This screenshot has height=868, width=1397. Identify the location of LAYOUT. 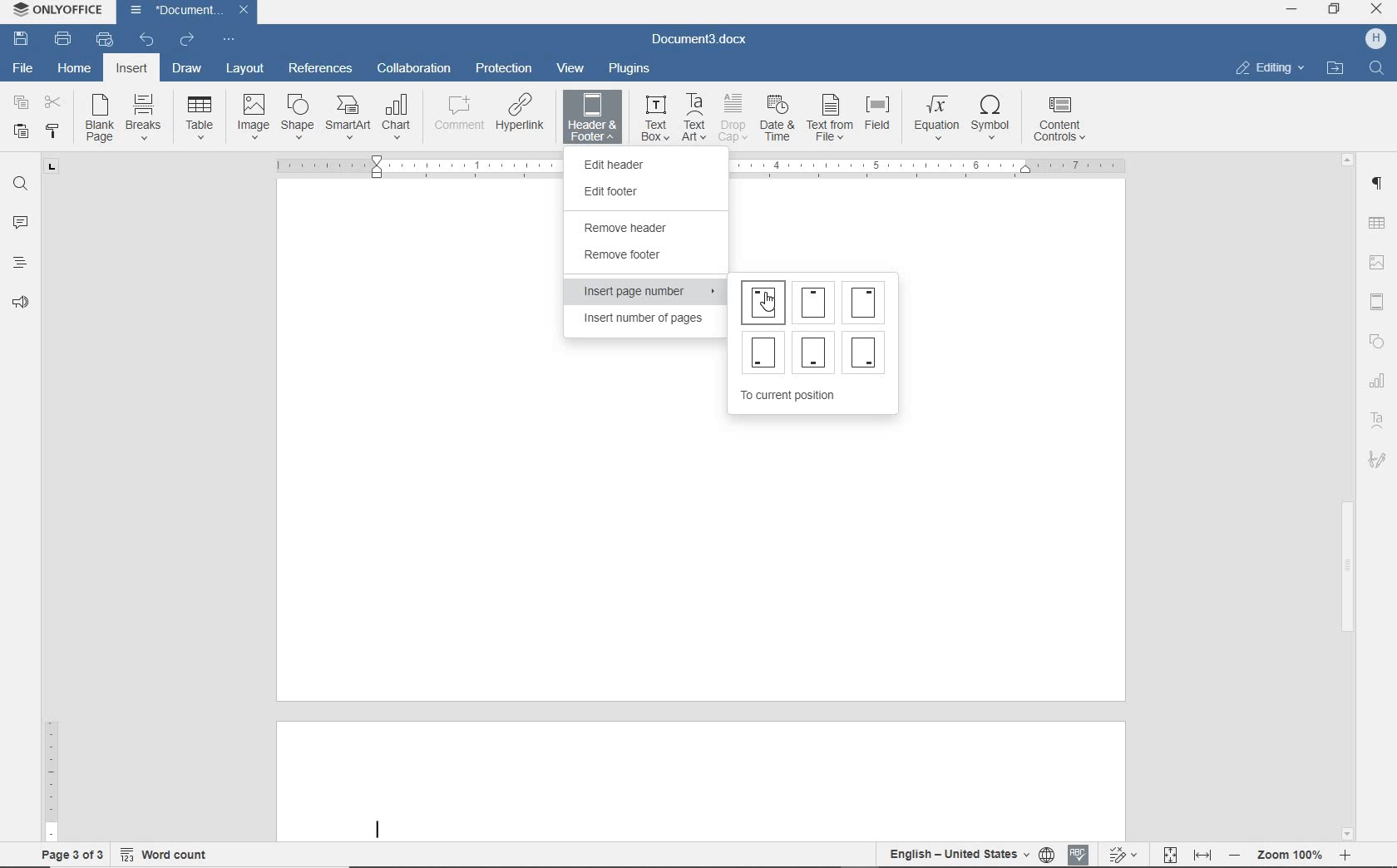
(241, 70).